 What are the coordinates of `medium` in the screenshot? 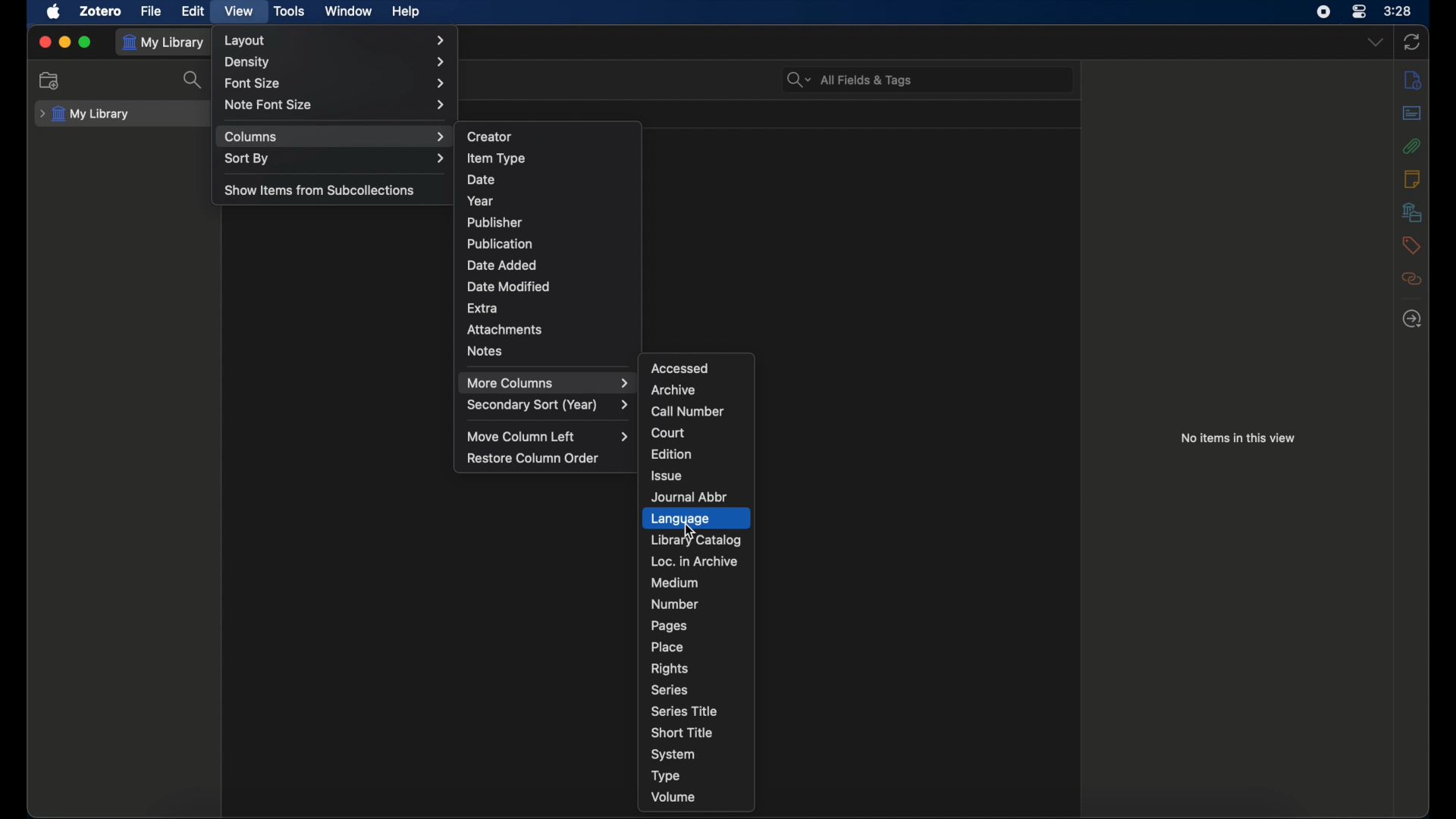 It's located at (674, 583).